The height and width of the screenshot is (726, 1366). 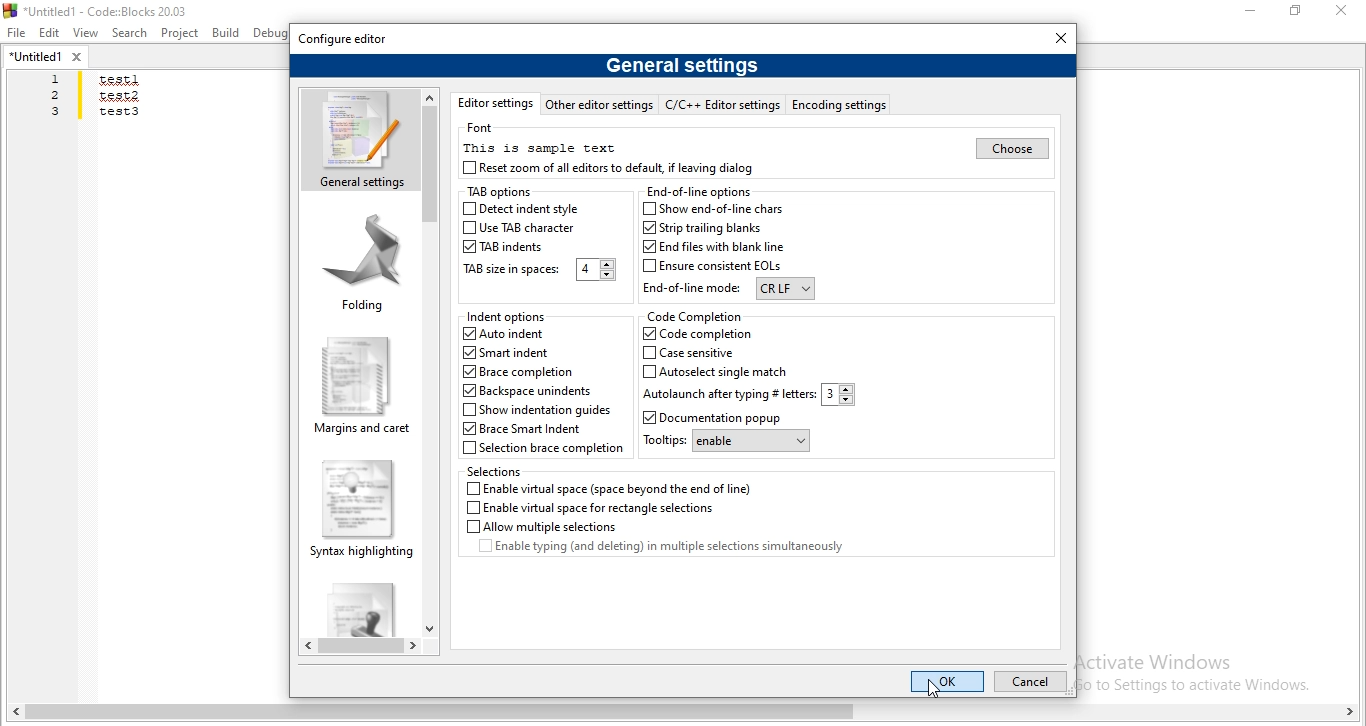 I want to click on Font, so click(x=483, y=128).